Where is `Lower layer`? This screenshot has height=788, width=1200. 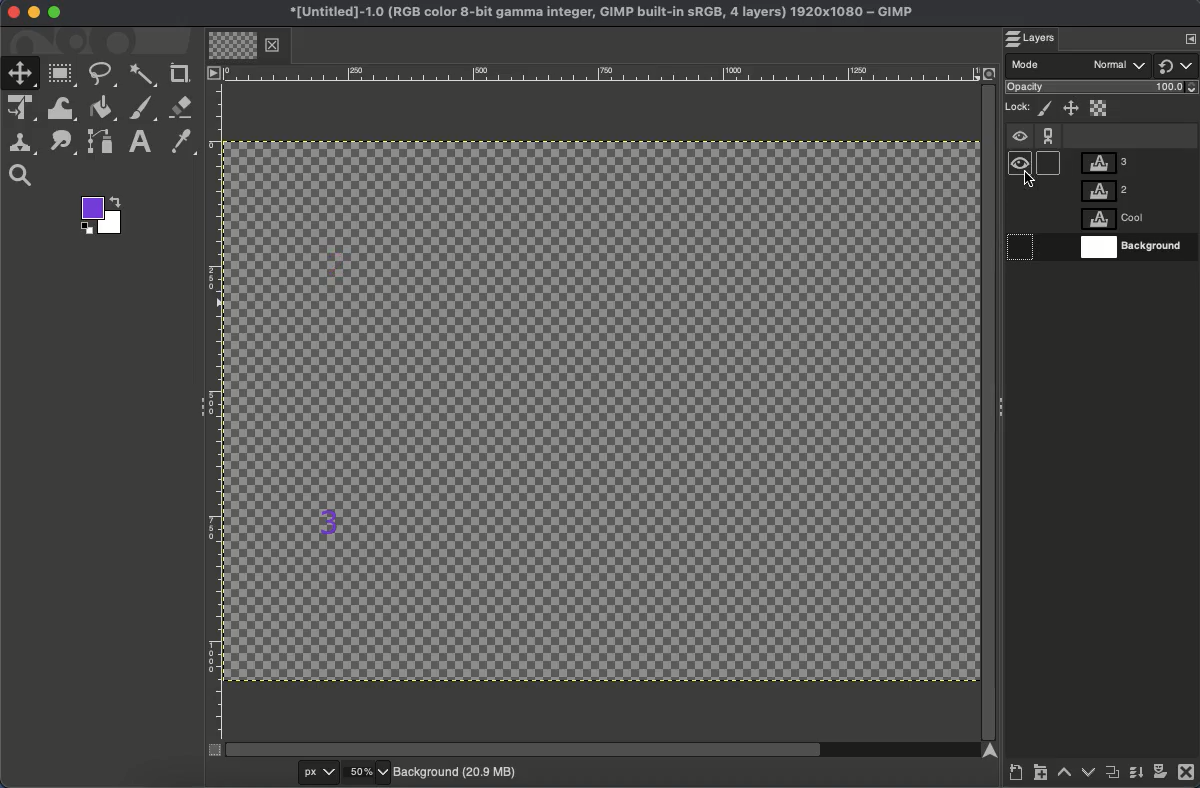
Lower layer is located at coordinates (1087, 775).